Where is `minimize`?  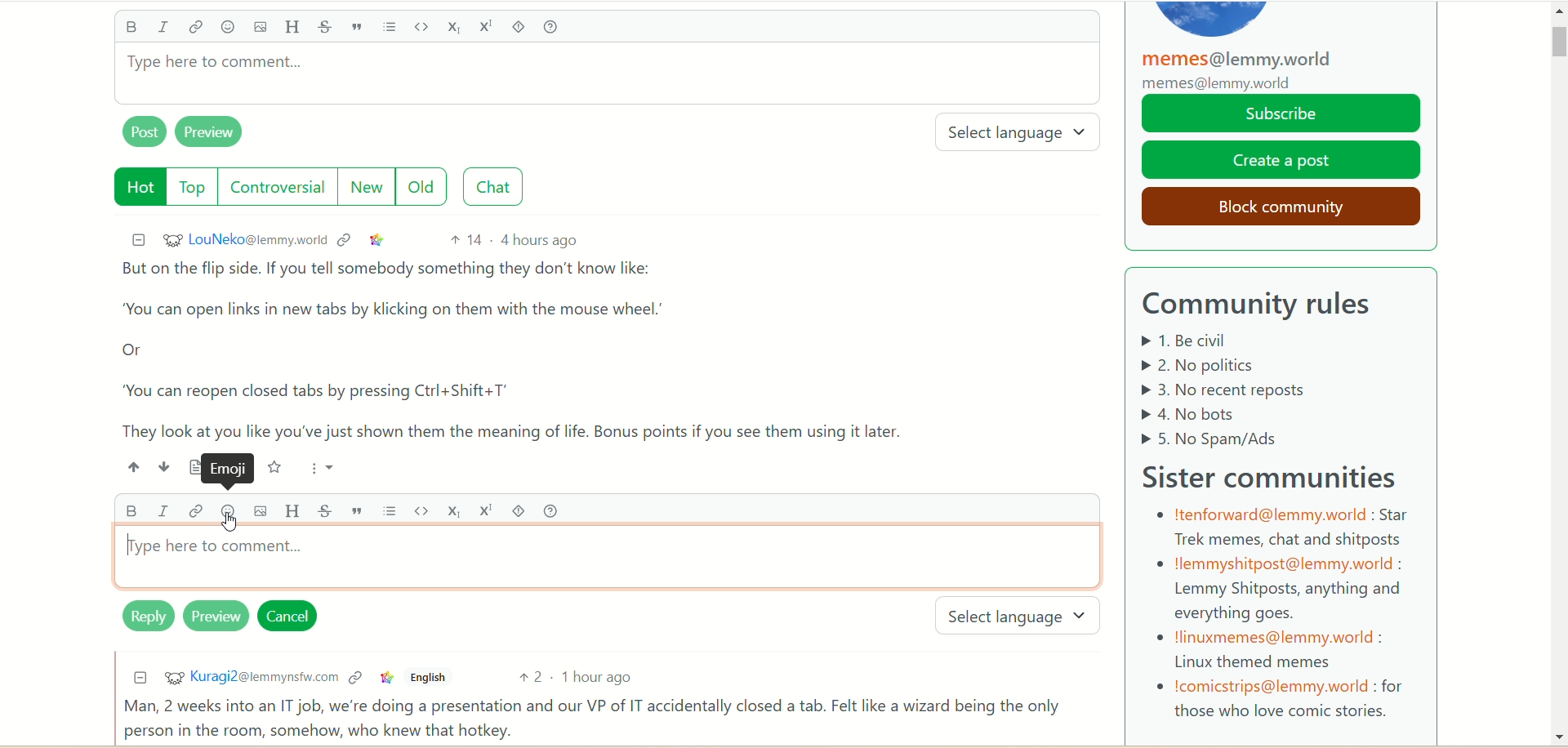 minimize is located at coordinates (135, 679).